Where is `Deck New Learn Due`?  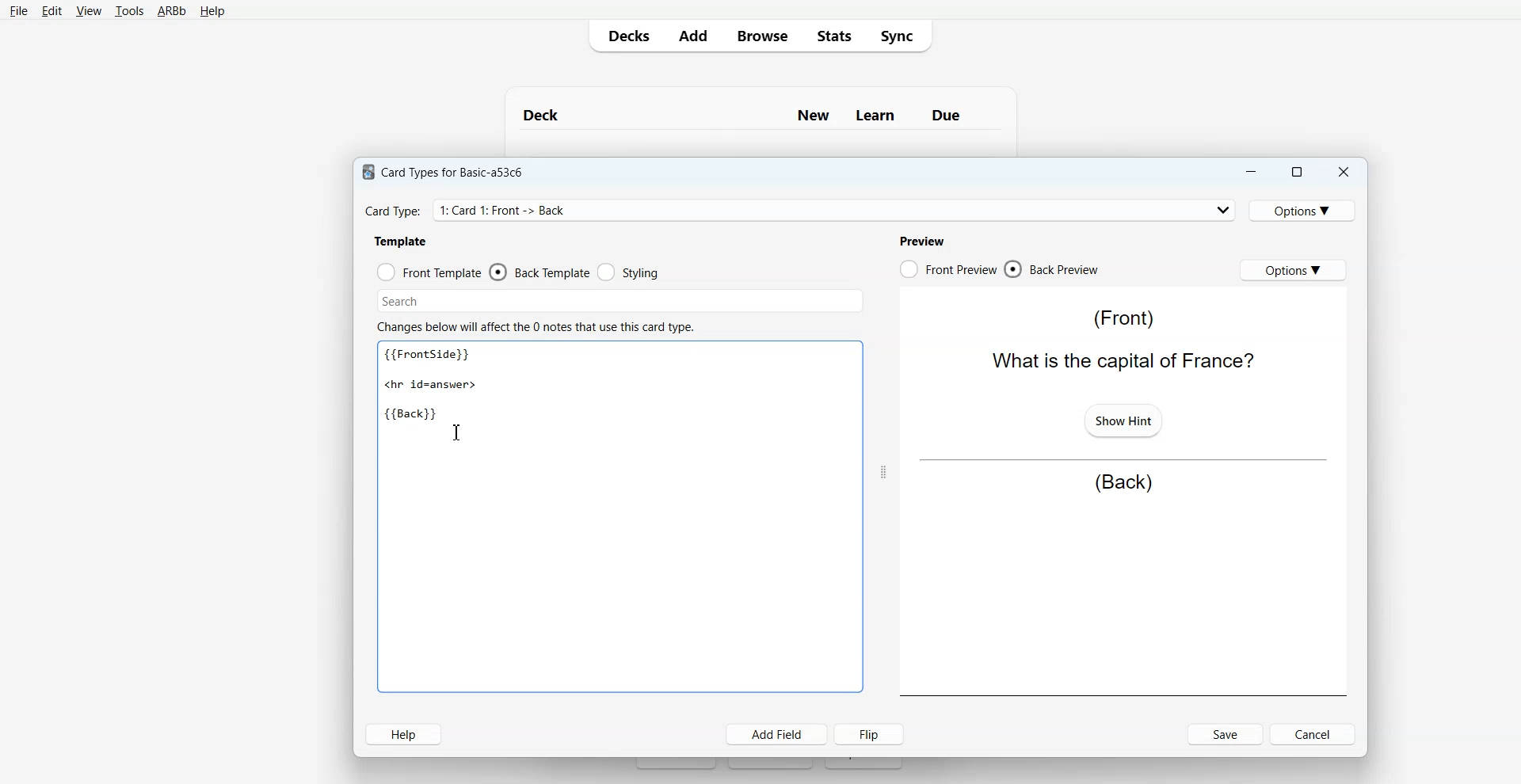 Deck New Learn Due is located at coordinates (750, 115).